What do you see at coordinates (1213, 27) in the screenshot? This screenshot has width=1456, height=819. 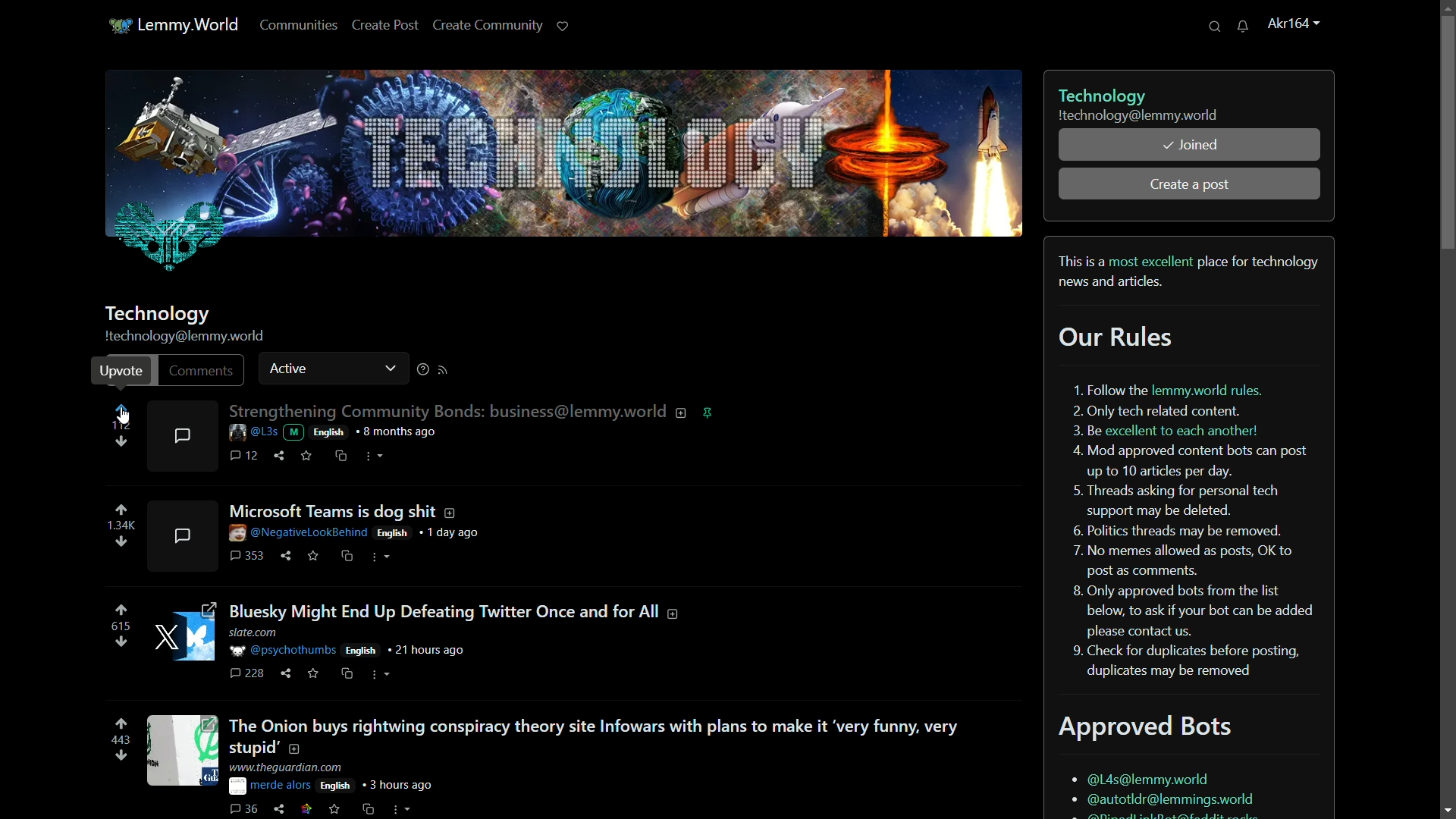 I see `search` at bounding box center [1213, 27].